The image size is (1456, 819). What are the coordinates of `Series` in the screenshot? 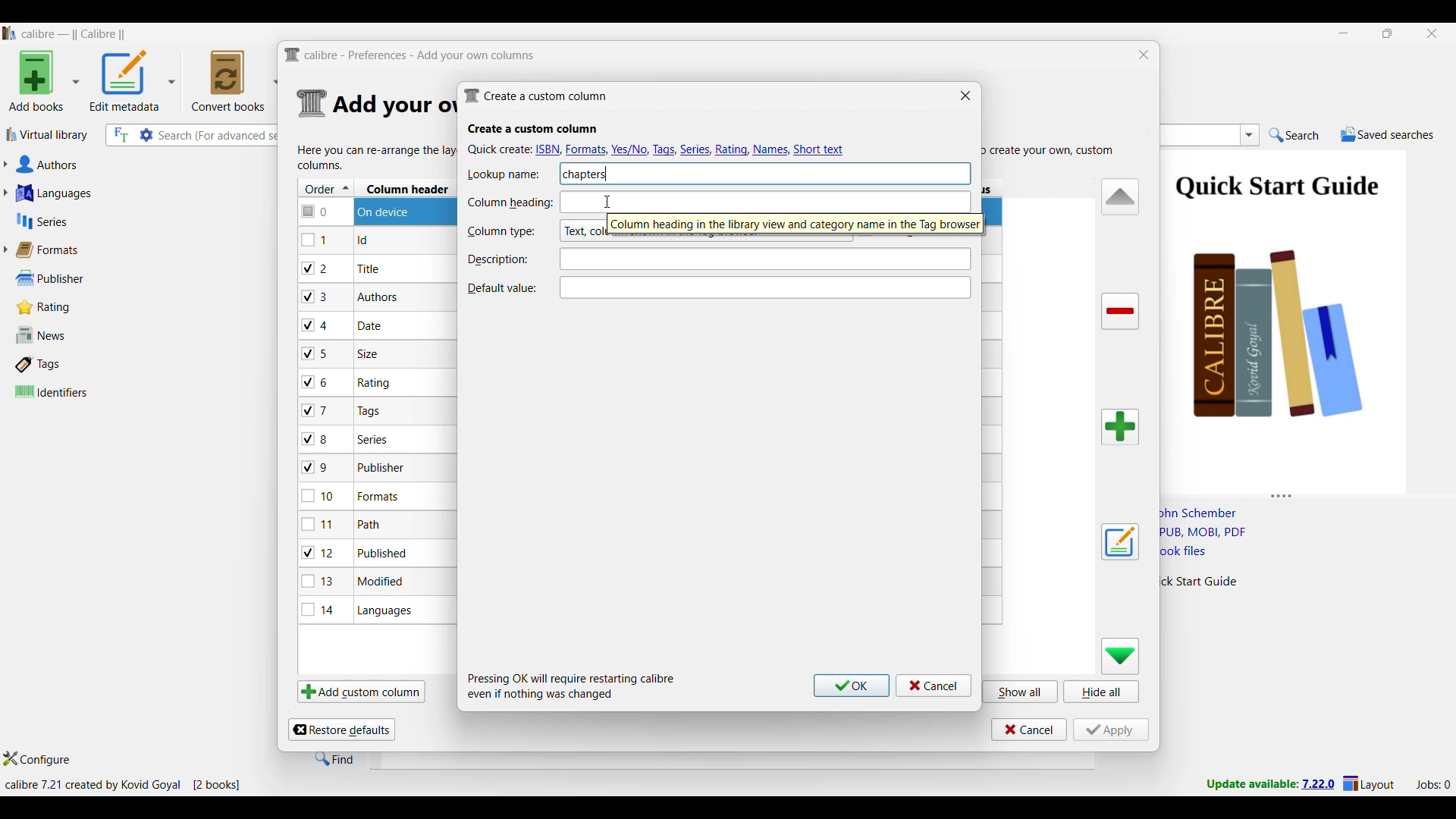 It's located at (114, 221).